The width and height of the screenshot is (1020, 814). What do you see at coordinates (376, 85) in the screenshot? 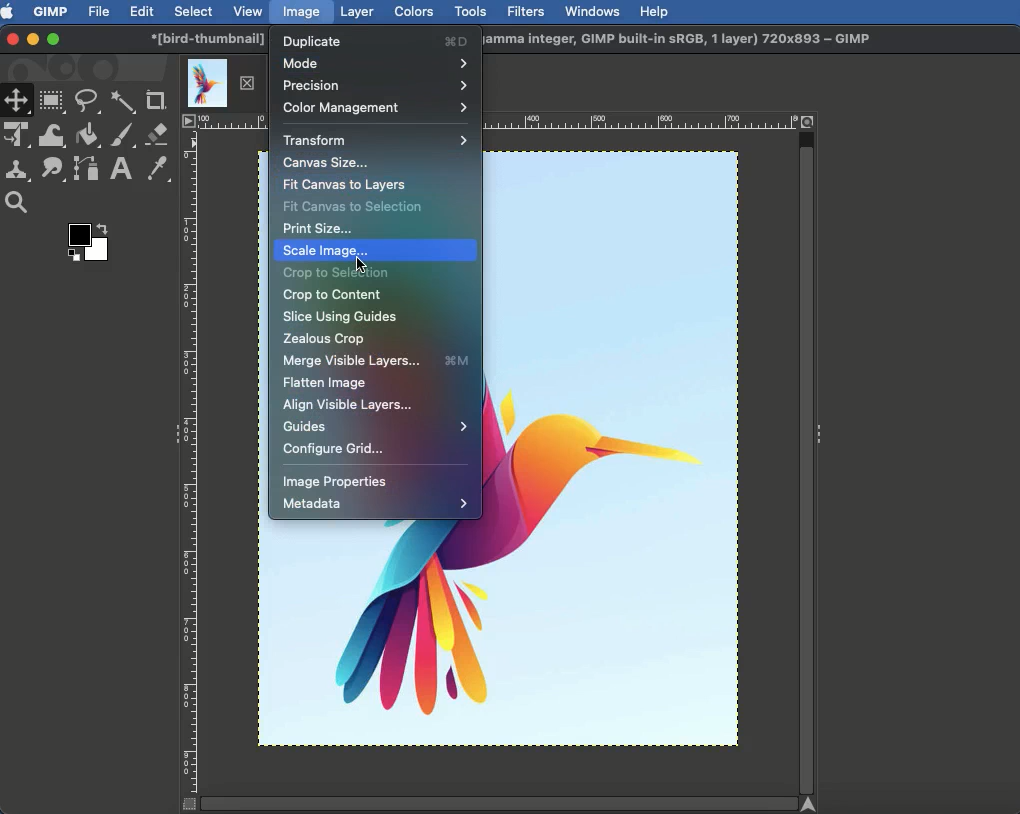
I see `Precision` at bounding box center [376, 85].